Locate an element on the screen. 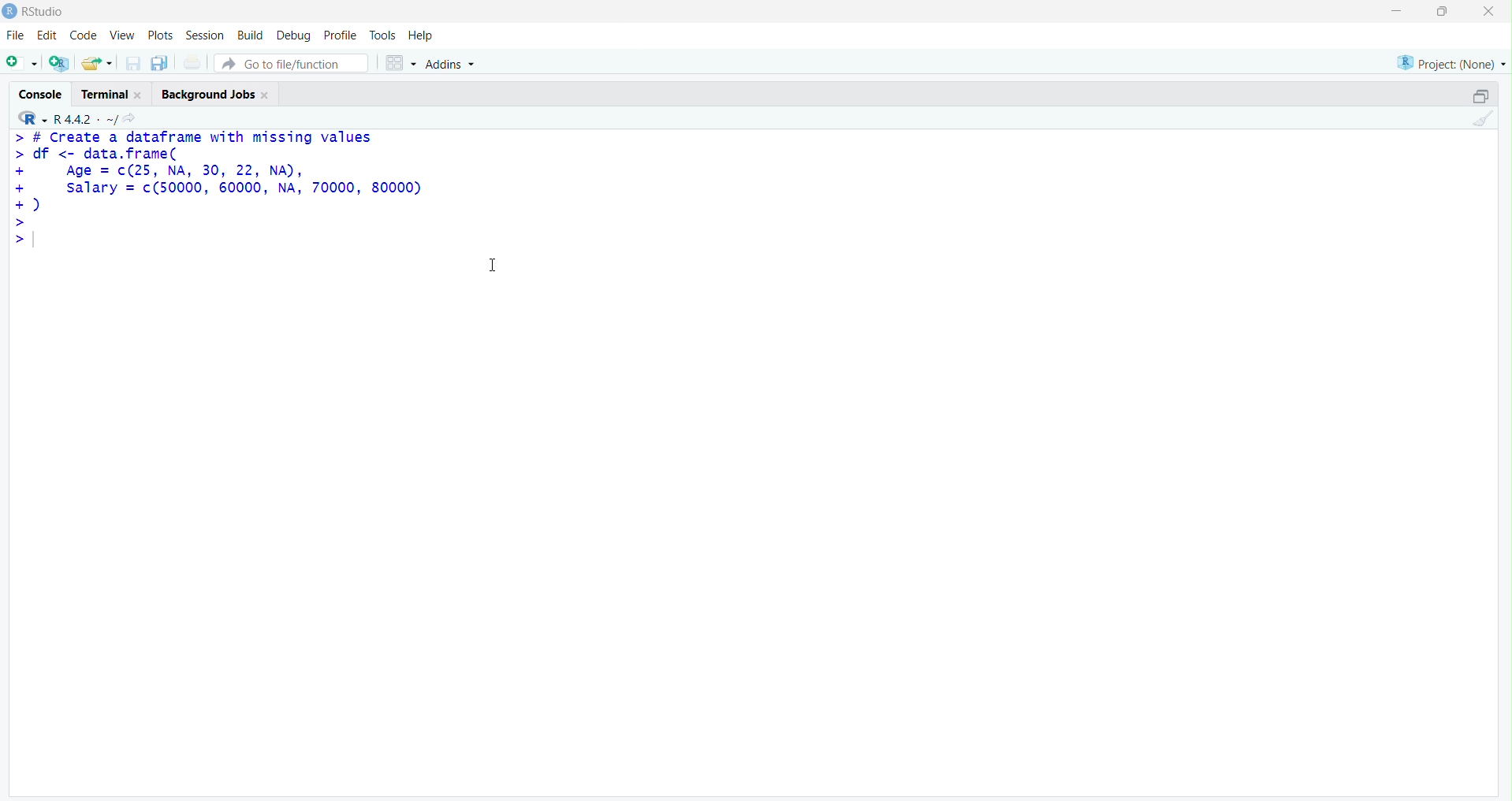 This screenshot has height=801, width=1512. Save current document (Ctrl + S) is located at coordinates (132, 62).